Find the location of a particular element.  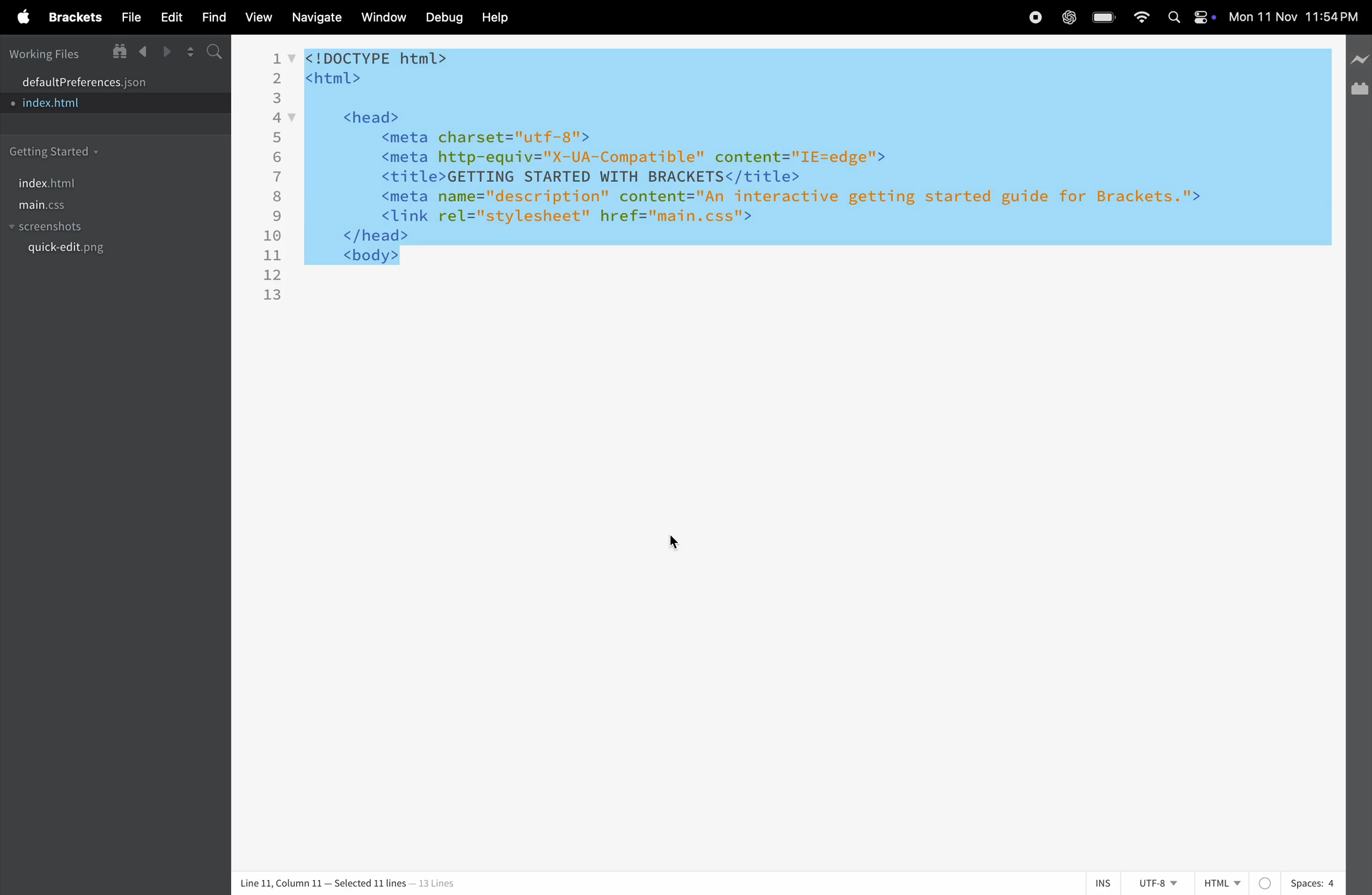

main.css is located at coordinates (105, 208).